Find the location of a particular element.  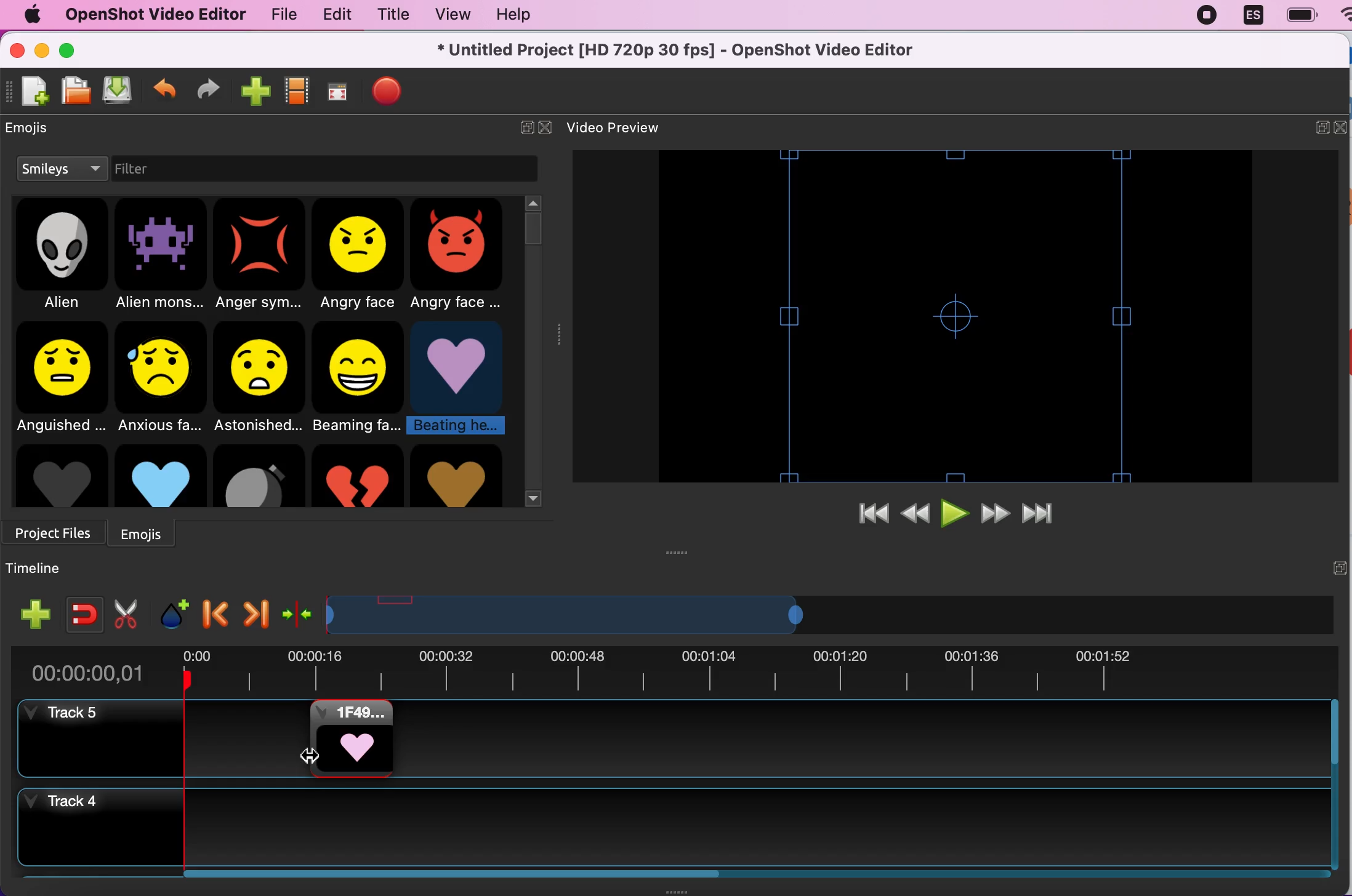

add track is located at coordinates (36, 614).